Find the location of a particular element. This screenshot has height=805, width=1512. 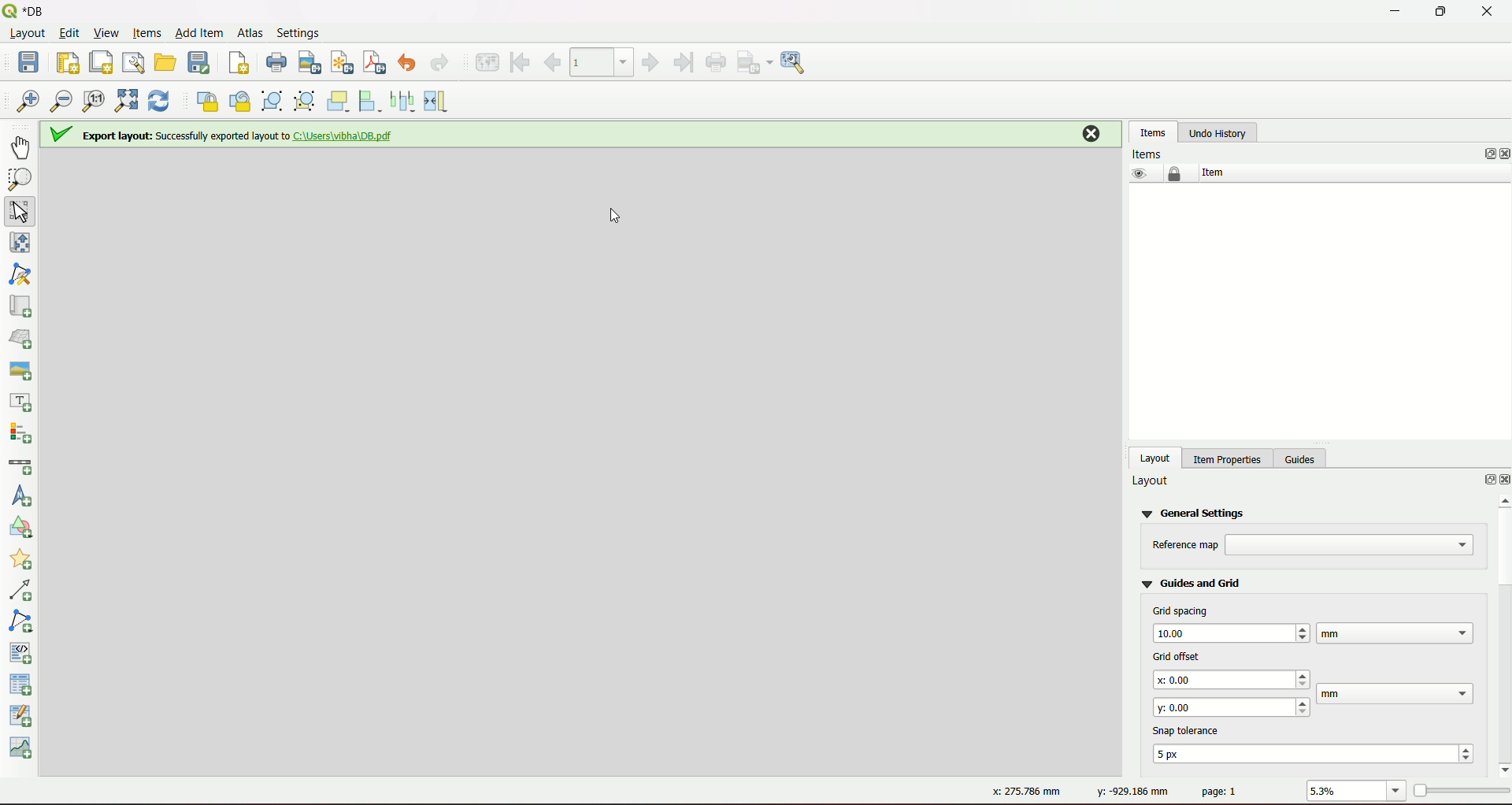

close is located at coordinates (1503, 480).